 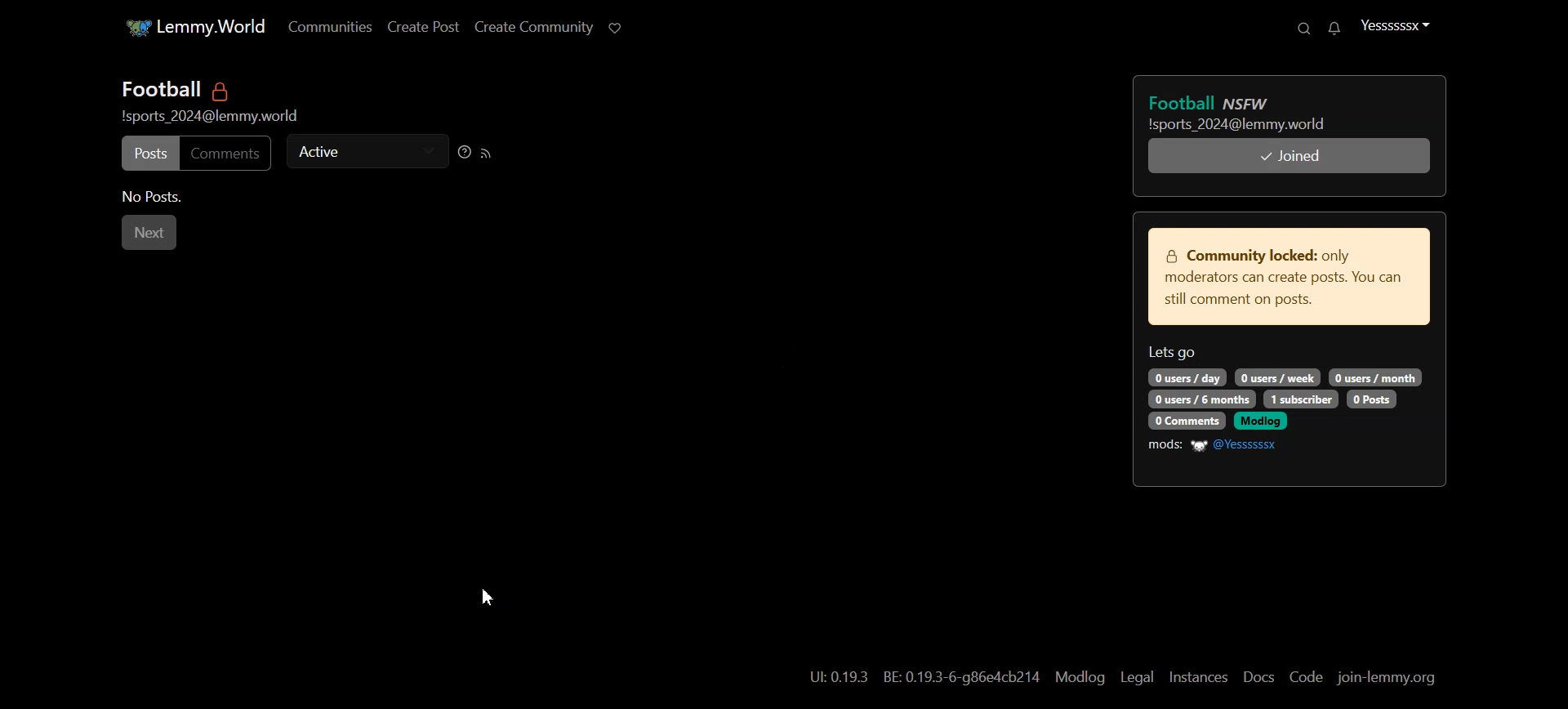 I want to click on Communities, so click(x=318, y=26).